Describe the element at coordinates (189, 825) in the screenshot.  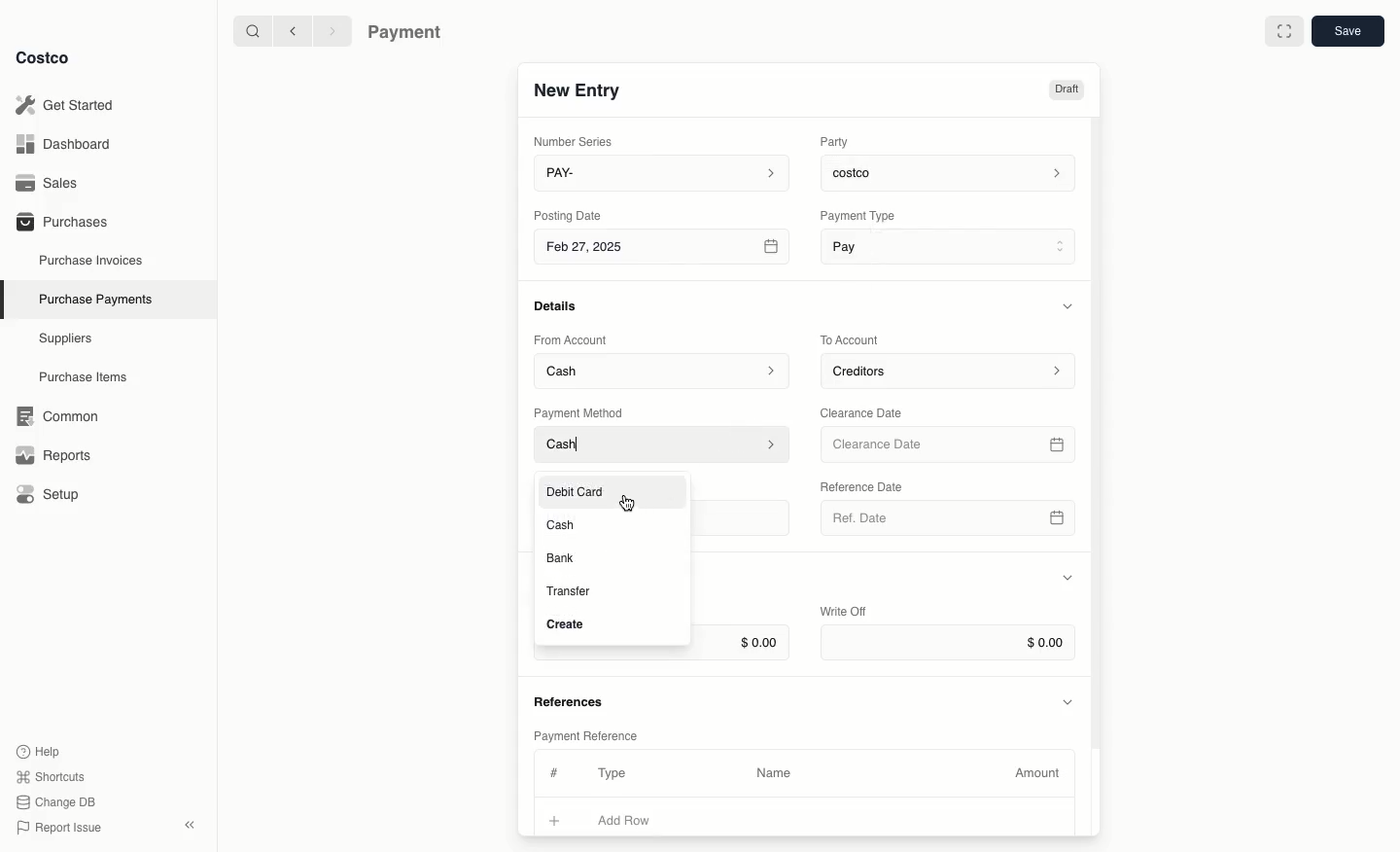
I see `collapse` at that location.